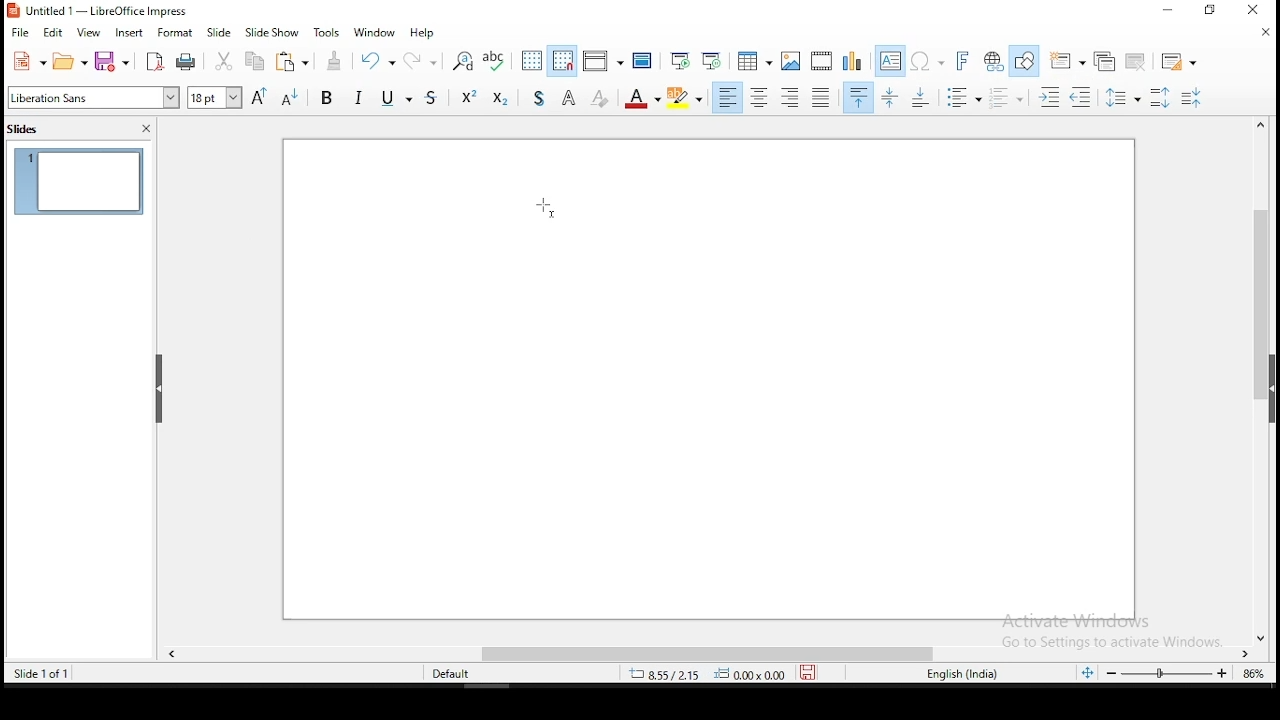 The image size is (1280, 720). Describe the element at coordinates (223, 32) in the screenshot. I see `slide` at that location.